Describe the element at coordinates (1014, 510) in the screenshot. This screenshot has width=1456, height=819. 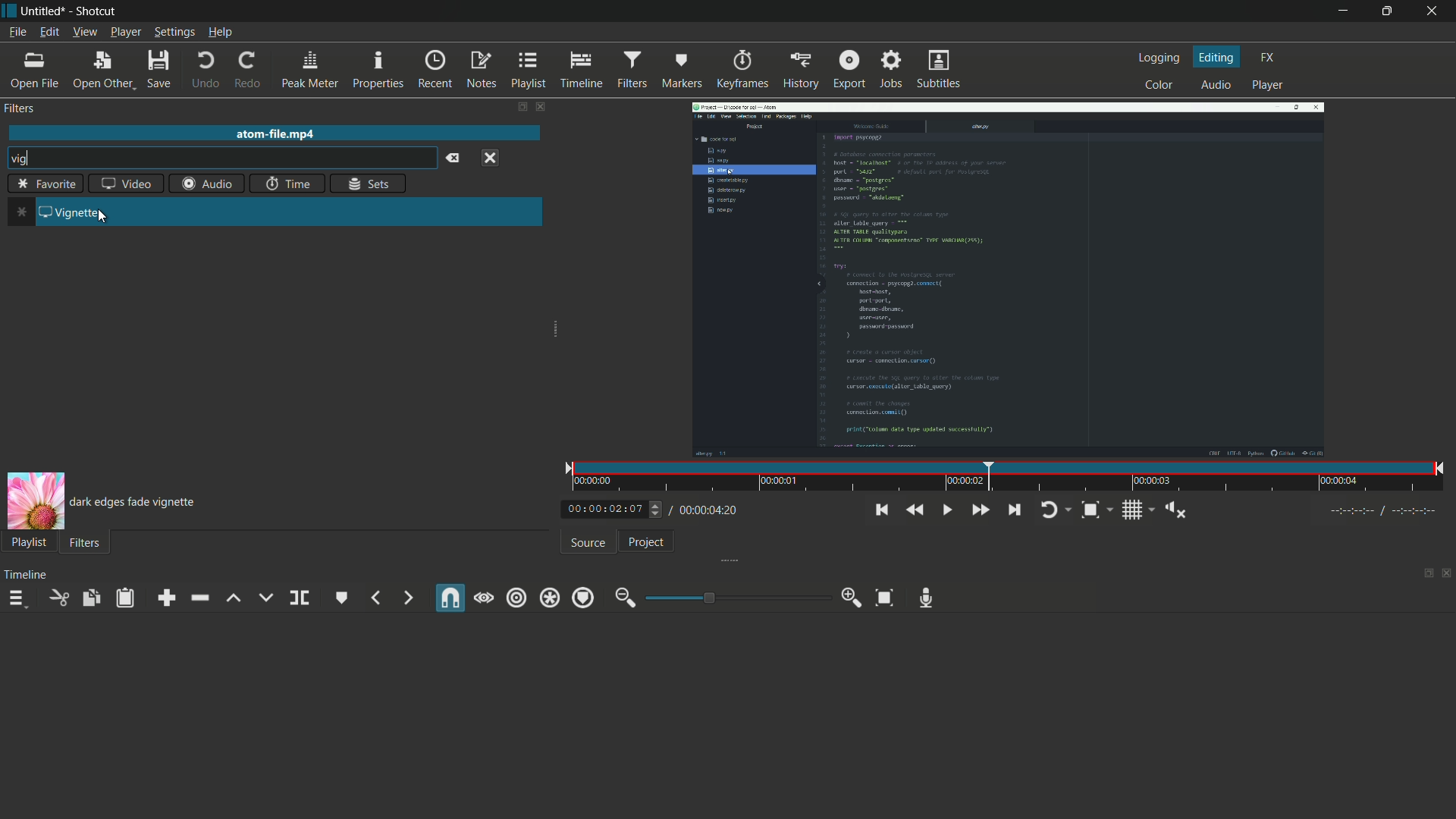
I see `skip to the next point` at that location.